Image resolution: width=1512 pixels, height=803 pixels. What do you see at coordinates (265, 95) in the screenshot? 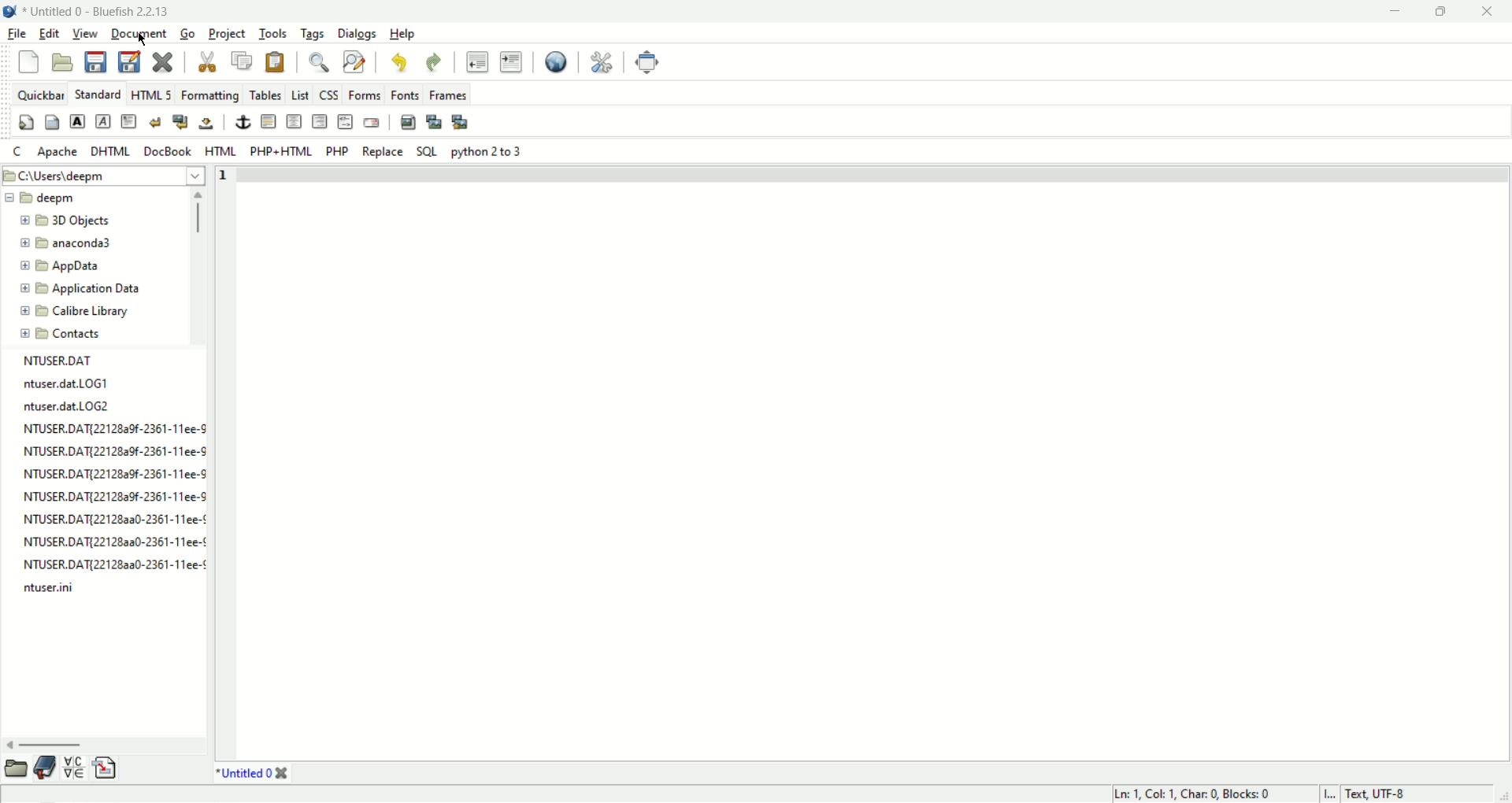
I see `tables` at bounding box center [265, 95].